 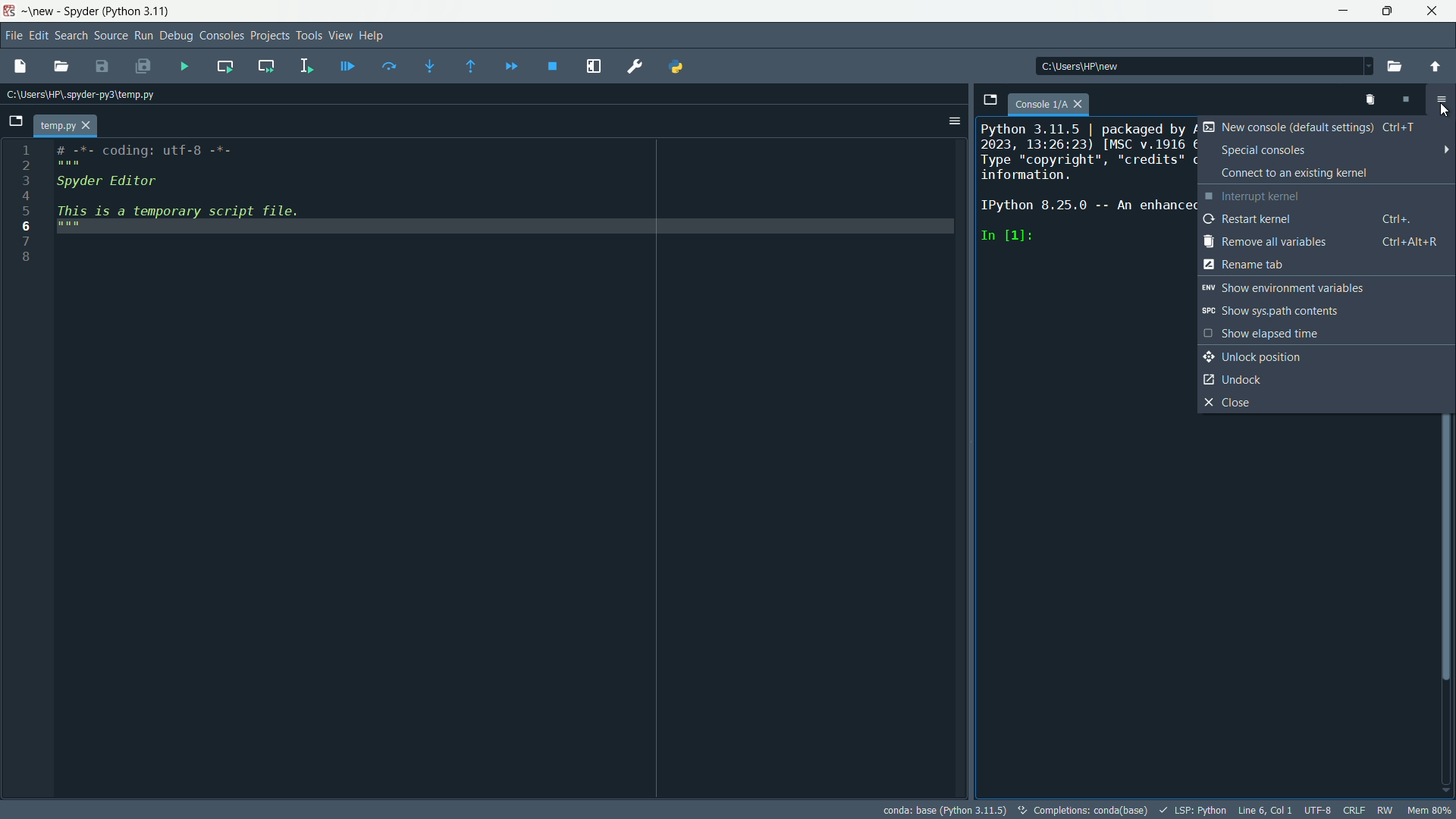 I want to click on step into funtion or method, so click(x=430, y=66).